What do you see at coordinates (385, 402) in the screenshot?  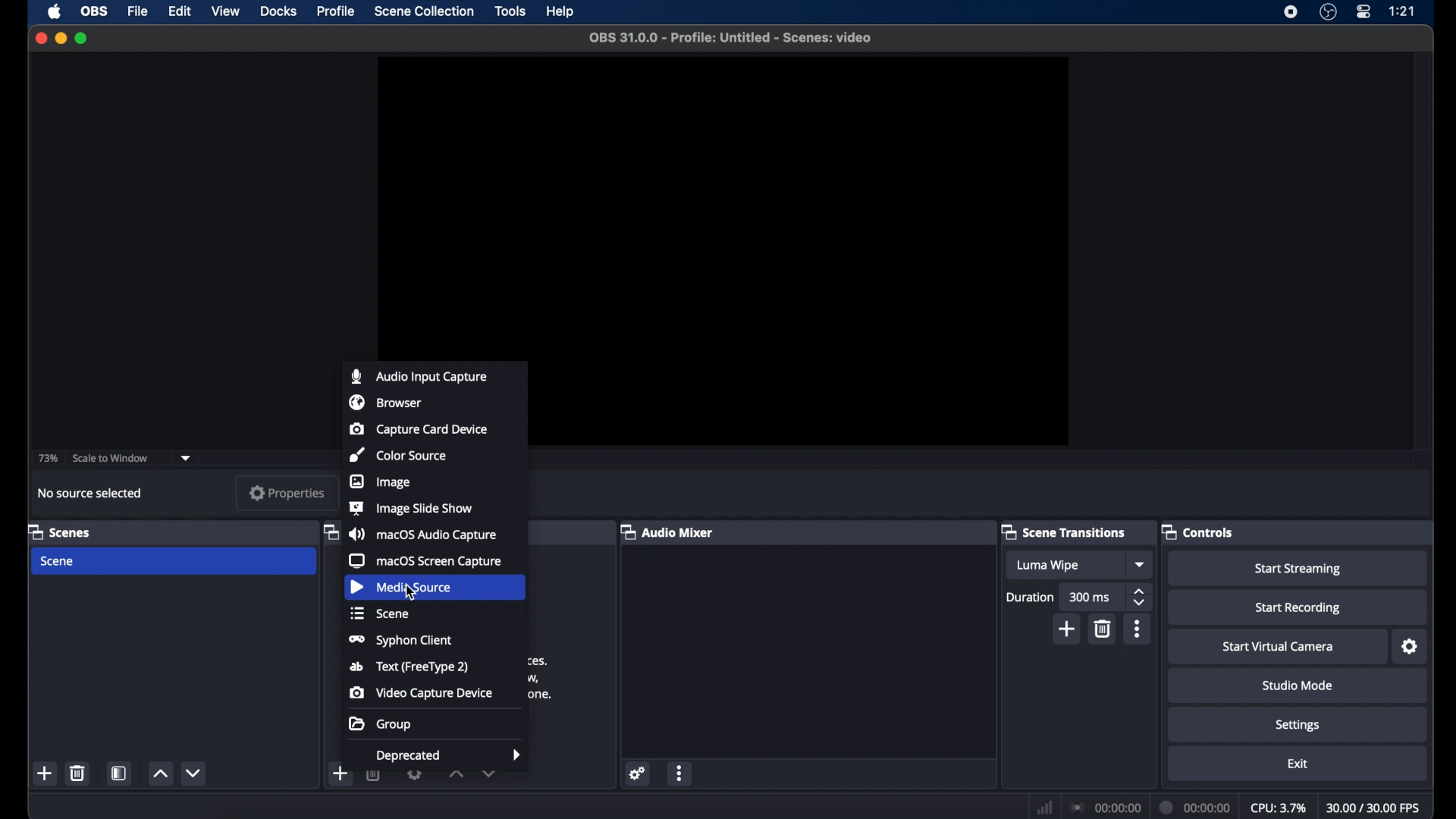 I see `browser` at bounding box center [385, 402].